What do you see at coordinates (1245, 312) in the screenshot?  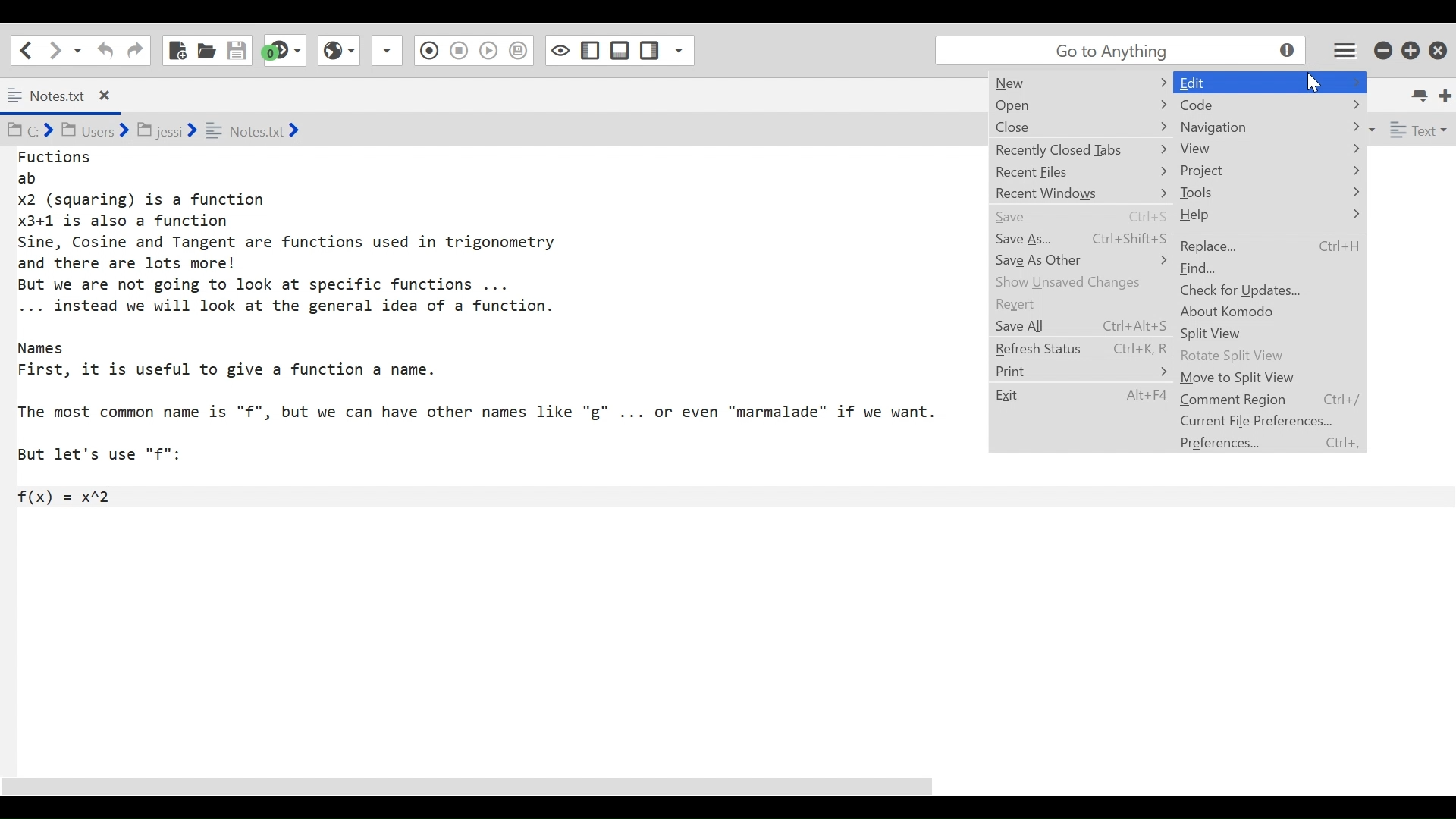 I see `about Komodo` at bounding box center [1245, 312].